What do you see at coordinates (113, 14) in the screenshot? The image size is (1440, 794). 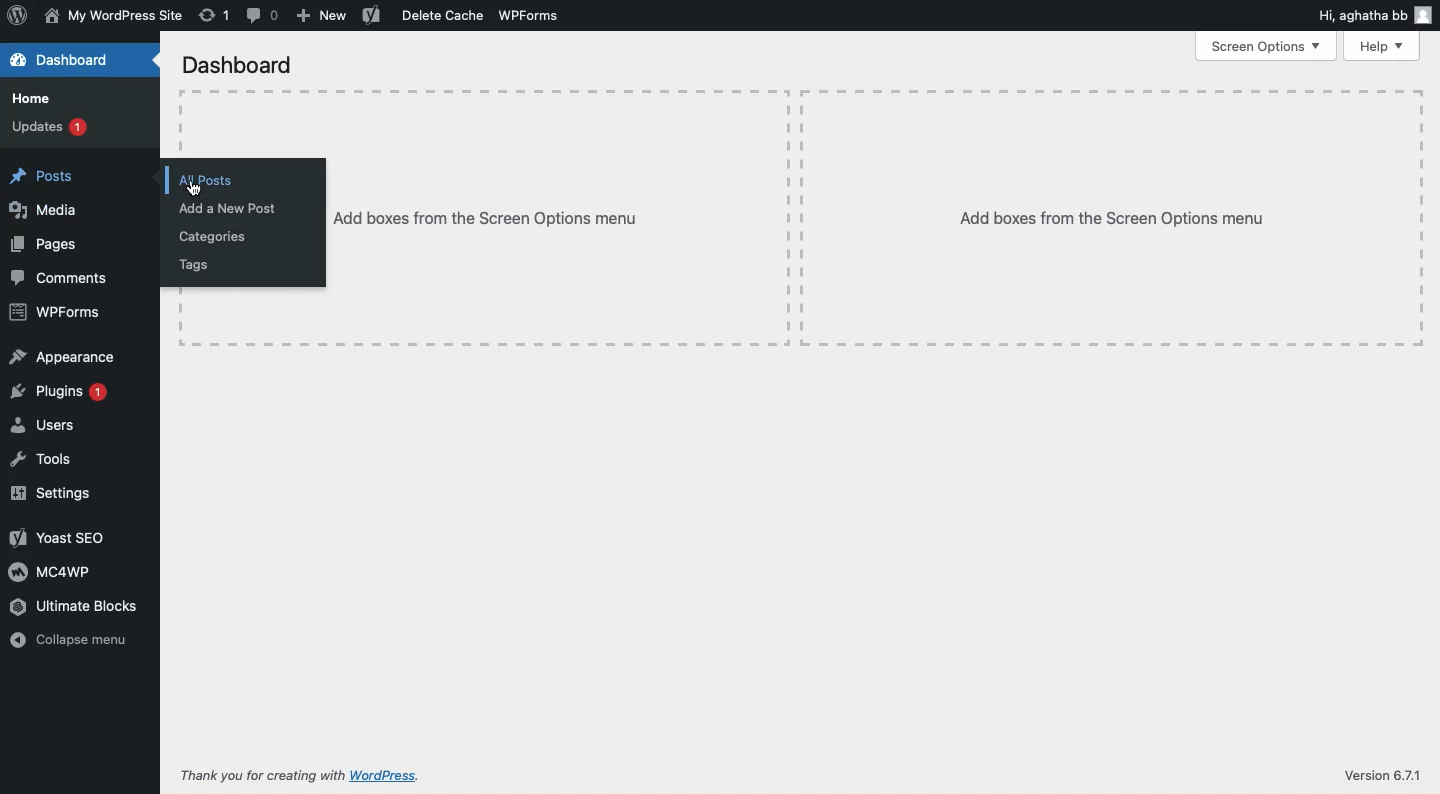 I see `Name` at bounding box center [113, 14].